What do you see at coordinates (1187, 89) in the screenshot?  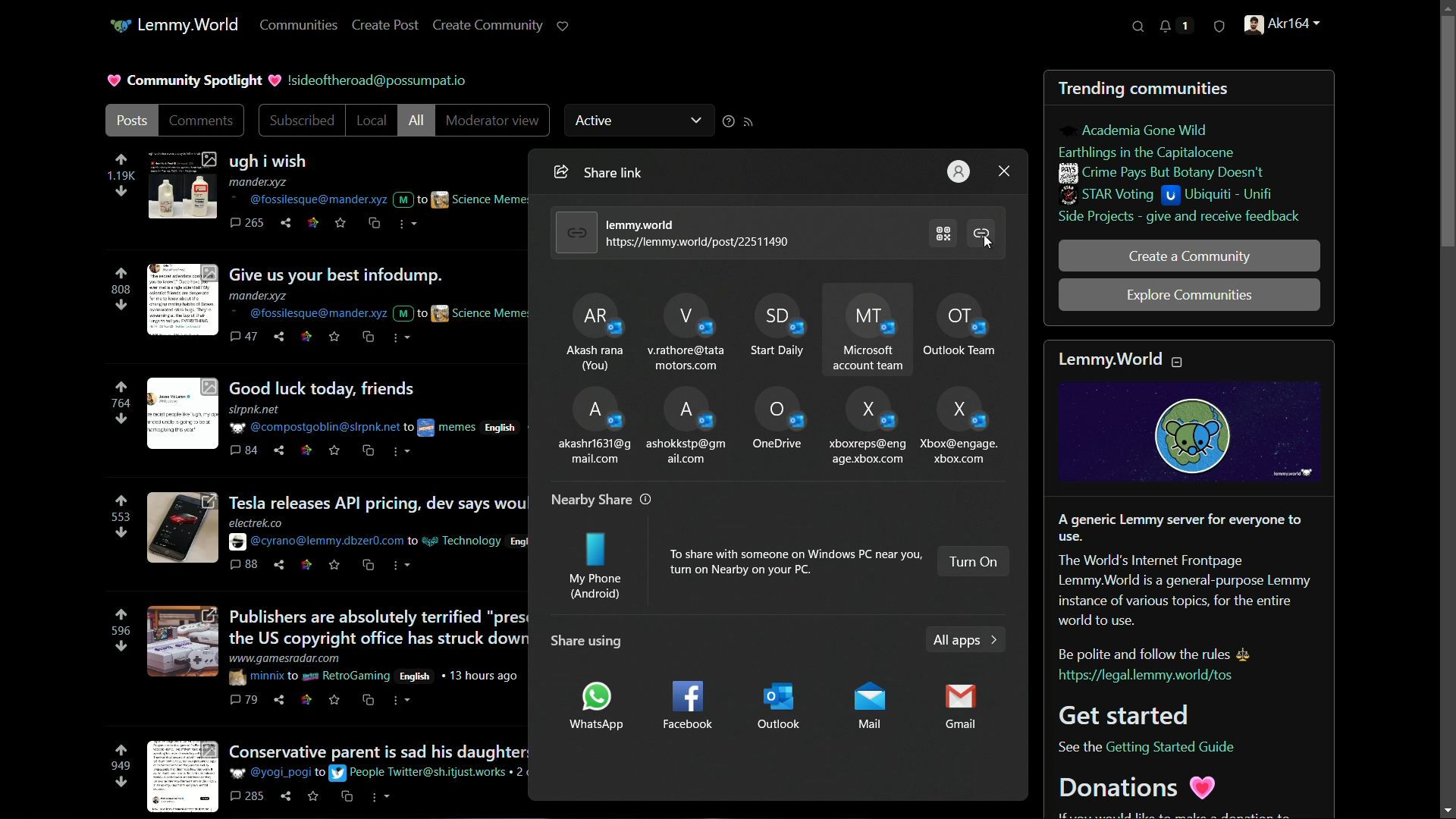 I see `communities` at bounding box center [1187, 89].